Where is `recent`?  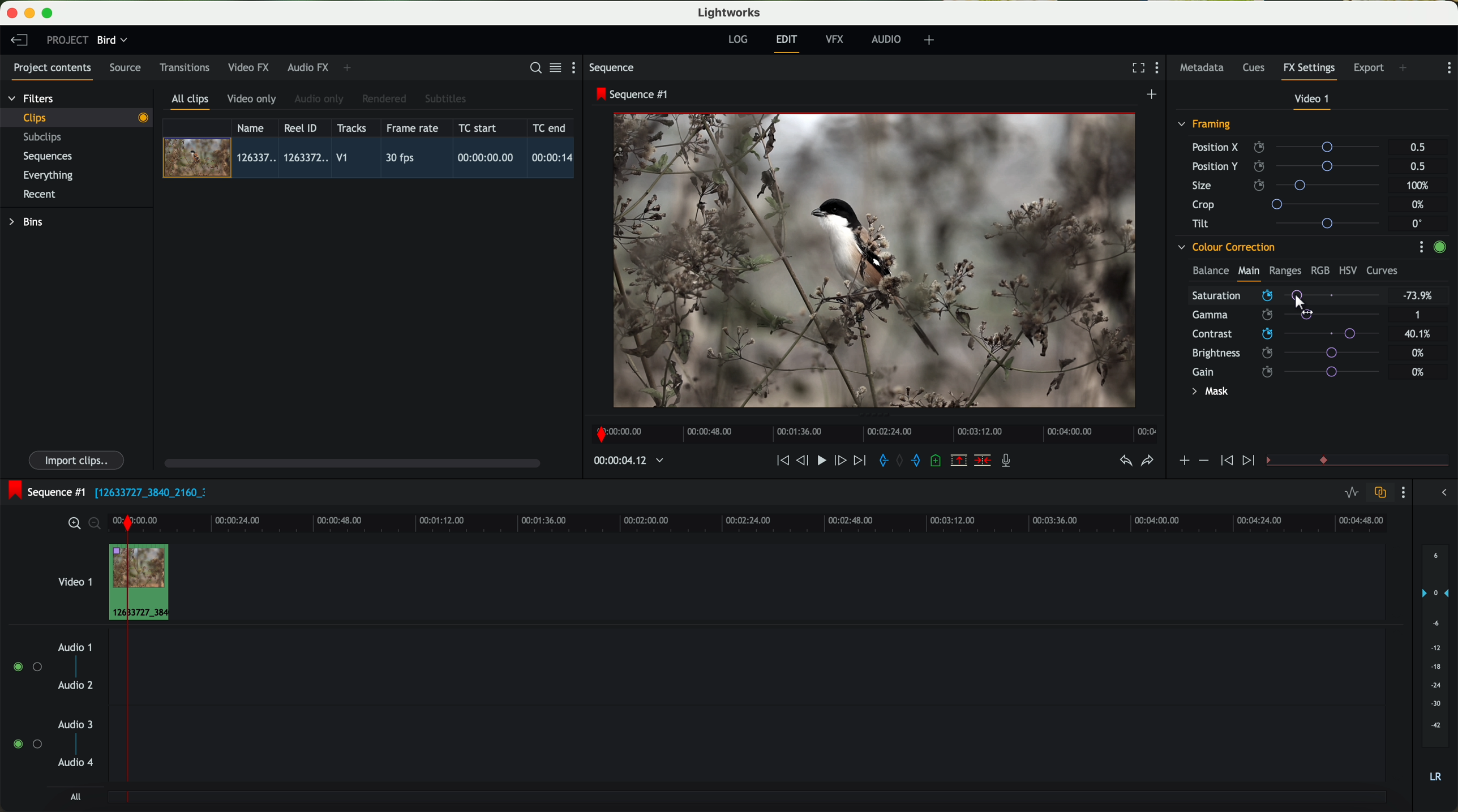
recent is located at coordinates (40, 196).